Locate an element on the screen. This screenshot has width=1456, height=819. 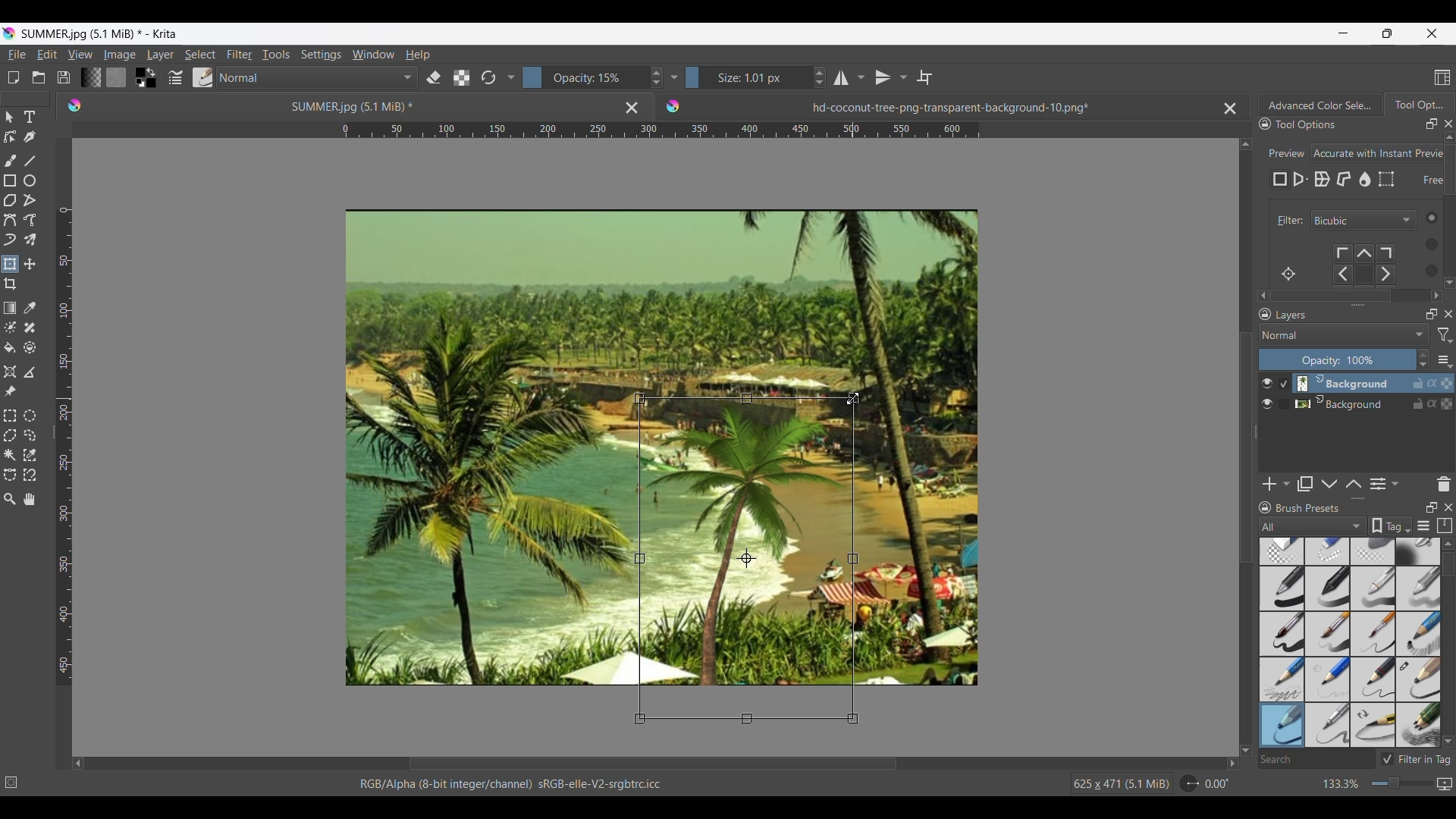
Window is located at coordinates (372, 54).